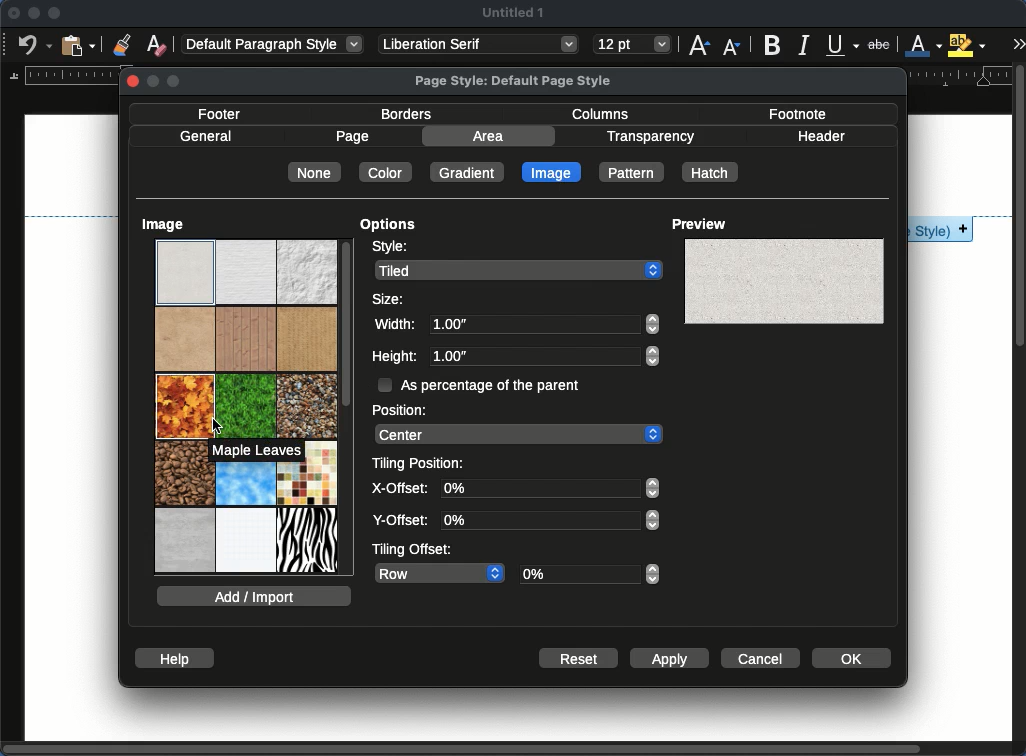  Describe the element at coordinates (799, 115) in the screenshot. I see `footnote` at that location.